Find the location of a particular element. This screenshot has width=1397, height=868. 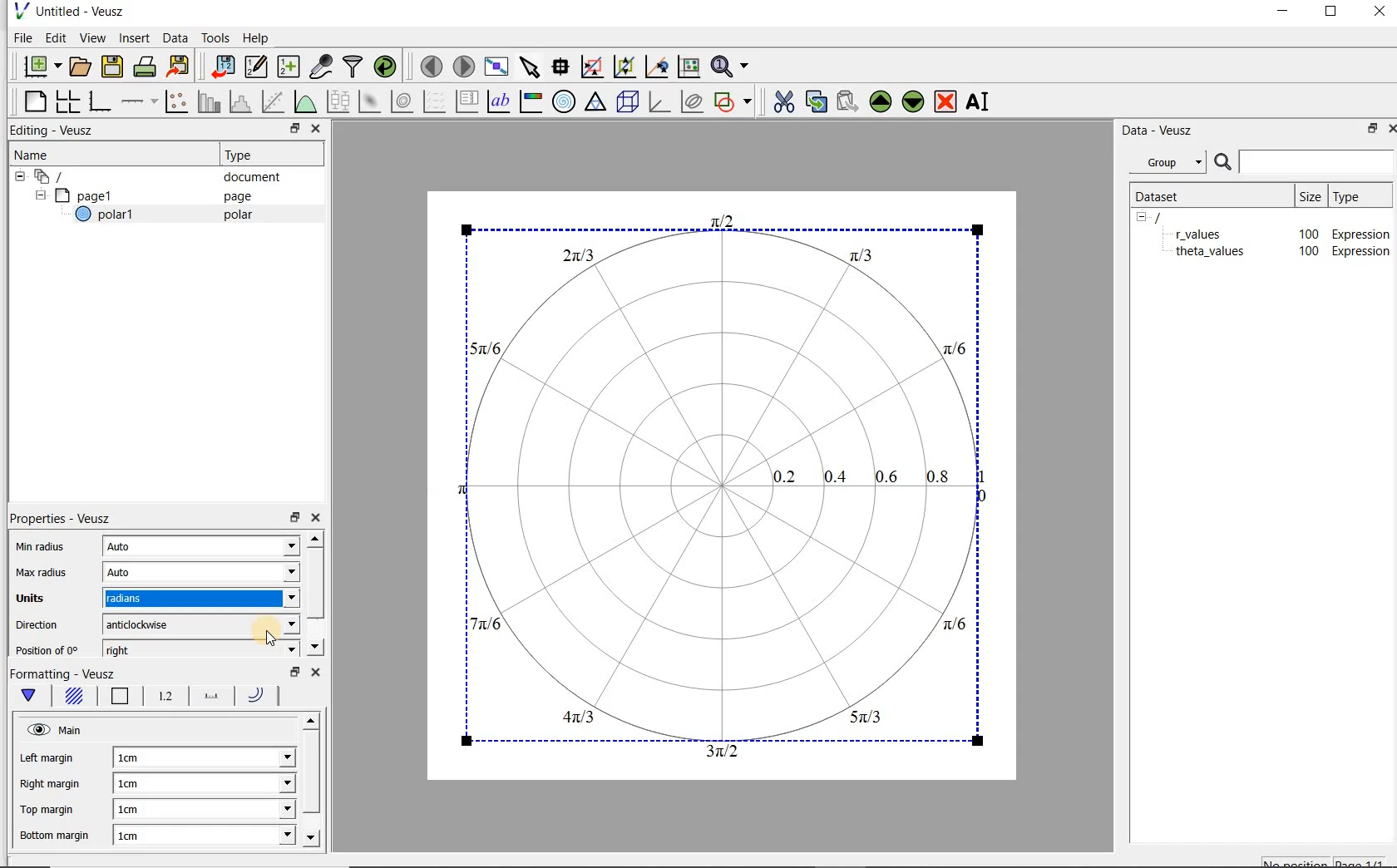

right is located at coordinates (145, 649).